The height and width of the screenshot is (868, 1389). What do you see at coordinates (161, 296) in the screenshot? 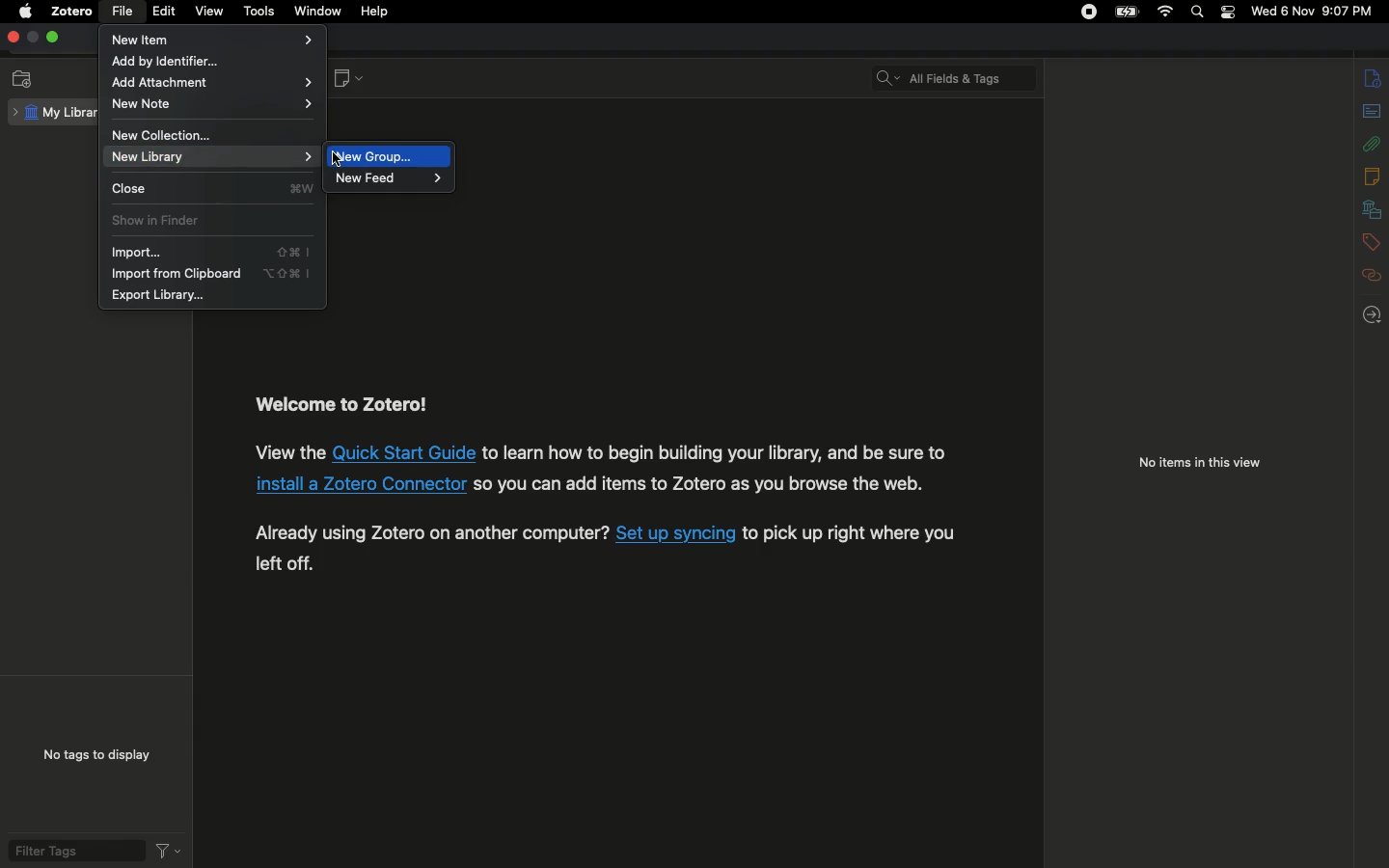
I see `Export library` at bounding box center [161, 296].